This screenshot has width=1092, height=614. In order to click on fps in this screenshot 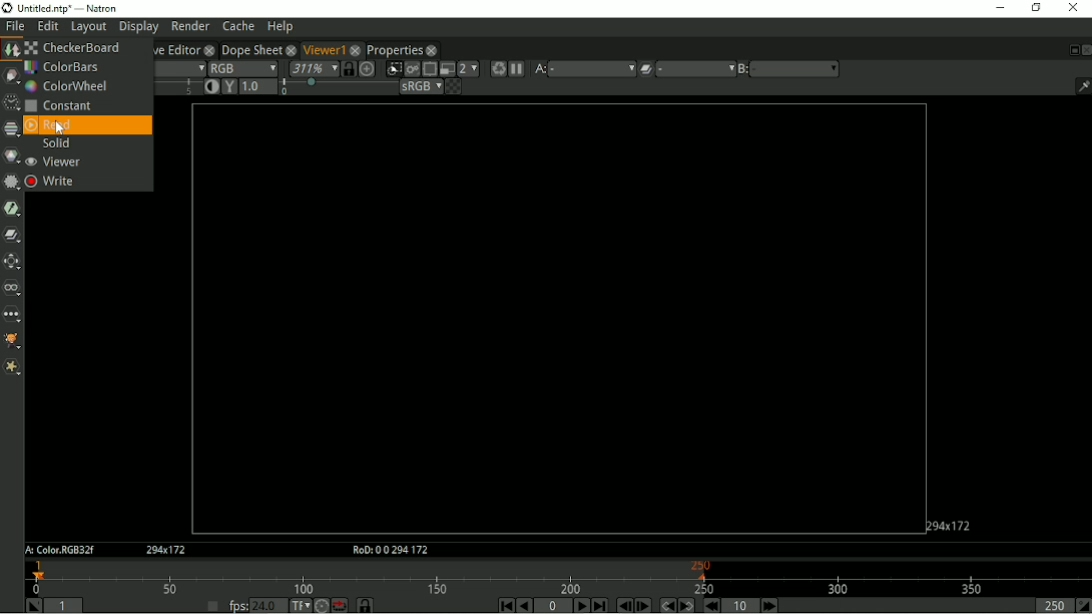, I will do `click(237, 606)`.